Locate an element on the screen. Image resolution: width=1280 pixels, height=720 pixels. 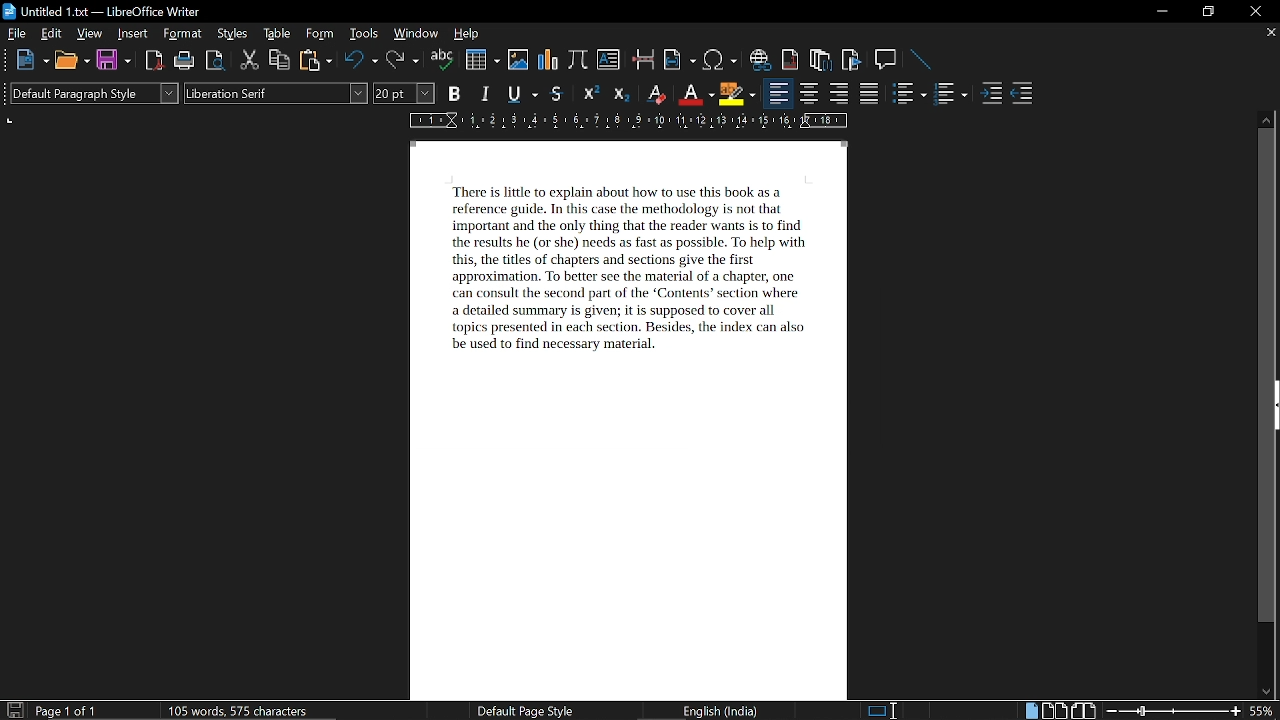
insert is located at coordinates (133, 34).